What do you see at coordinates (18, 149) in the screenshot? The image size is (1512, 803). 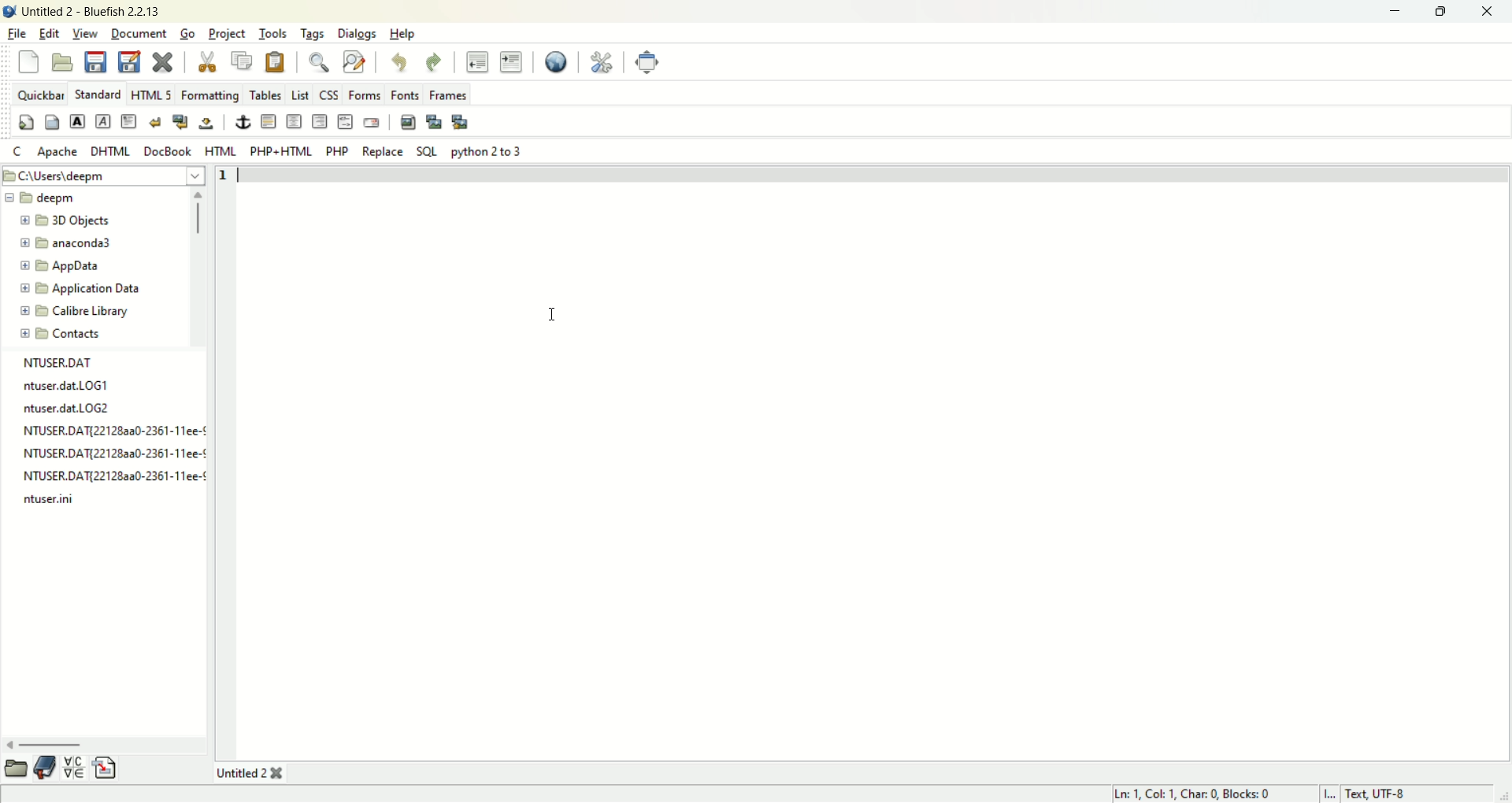 I see `C` at bounding box center [18, 149].